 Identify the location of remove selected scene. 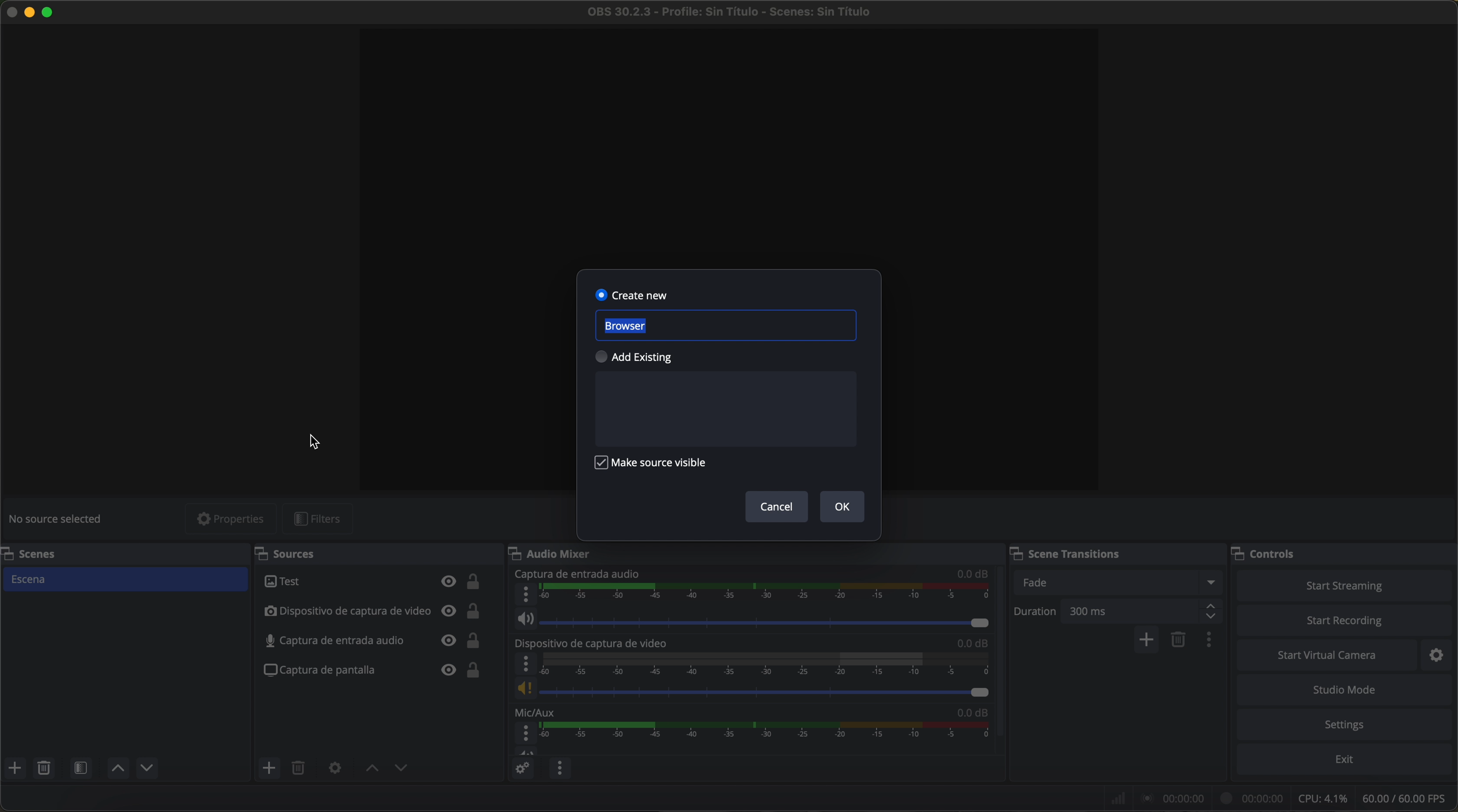
(1179, 641).